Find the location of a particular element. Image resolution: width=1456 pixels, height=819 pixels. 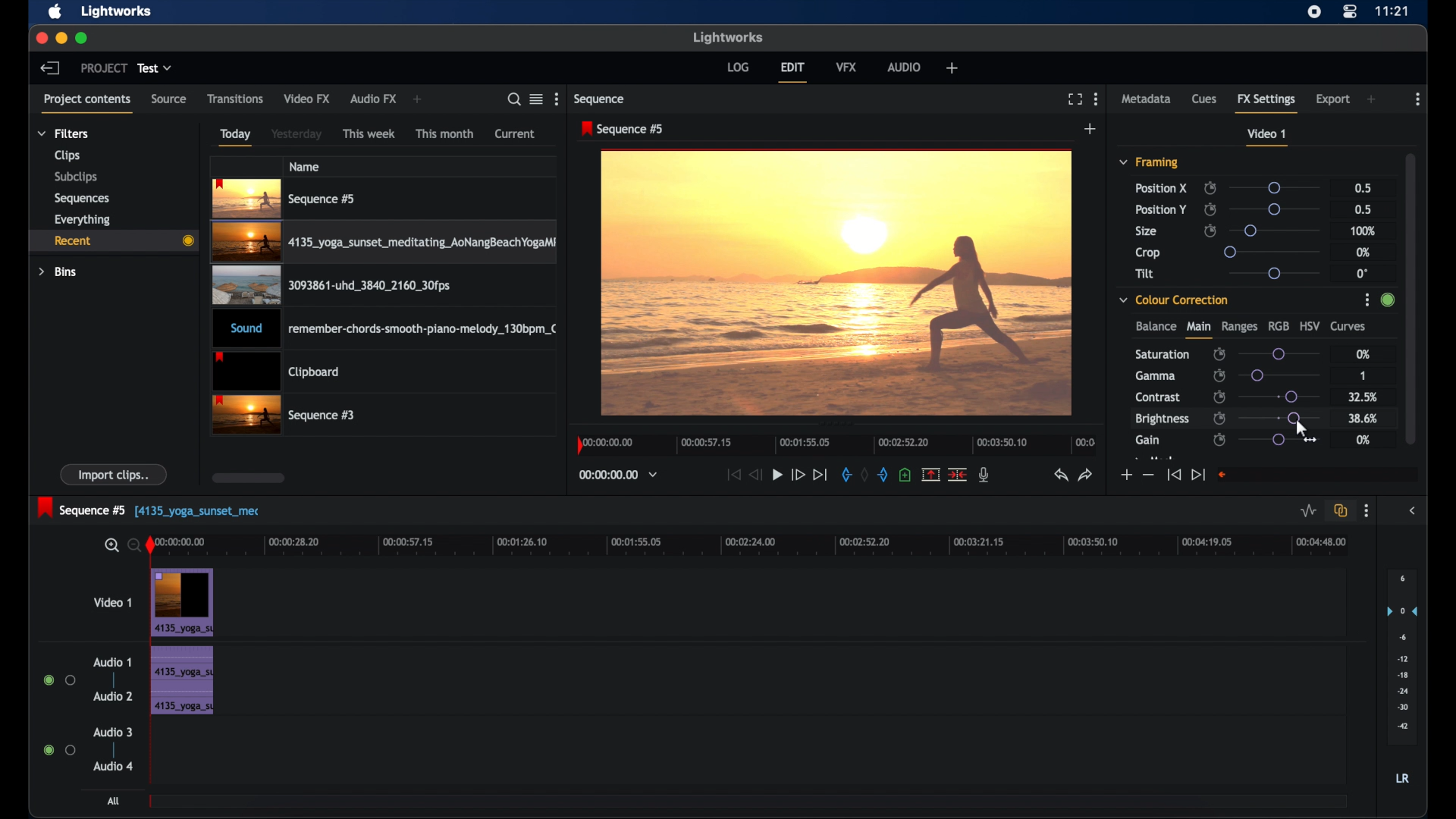

redo is located at coordinates (1087, 475).